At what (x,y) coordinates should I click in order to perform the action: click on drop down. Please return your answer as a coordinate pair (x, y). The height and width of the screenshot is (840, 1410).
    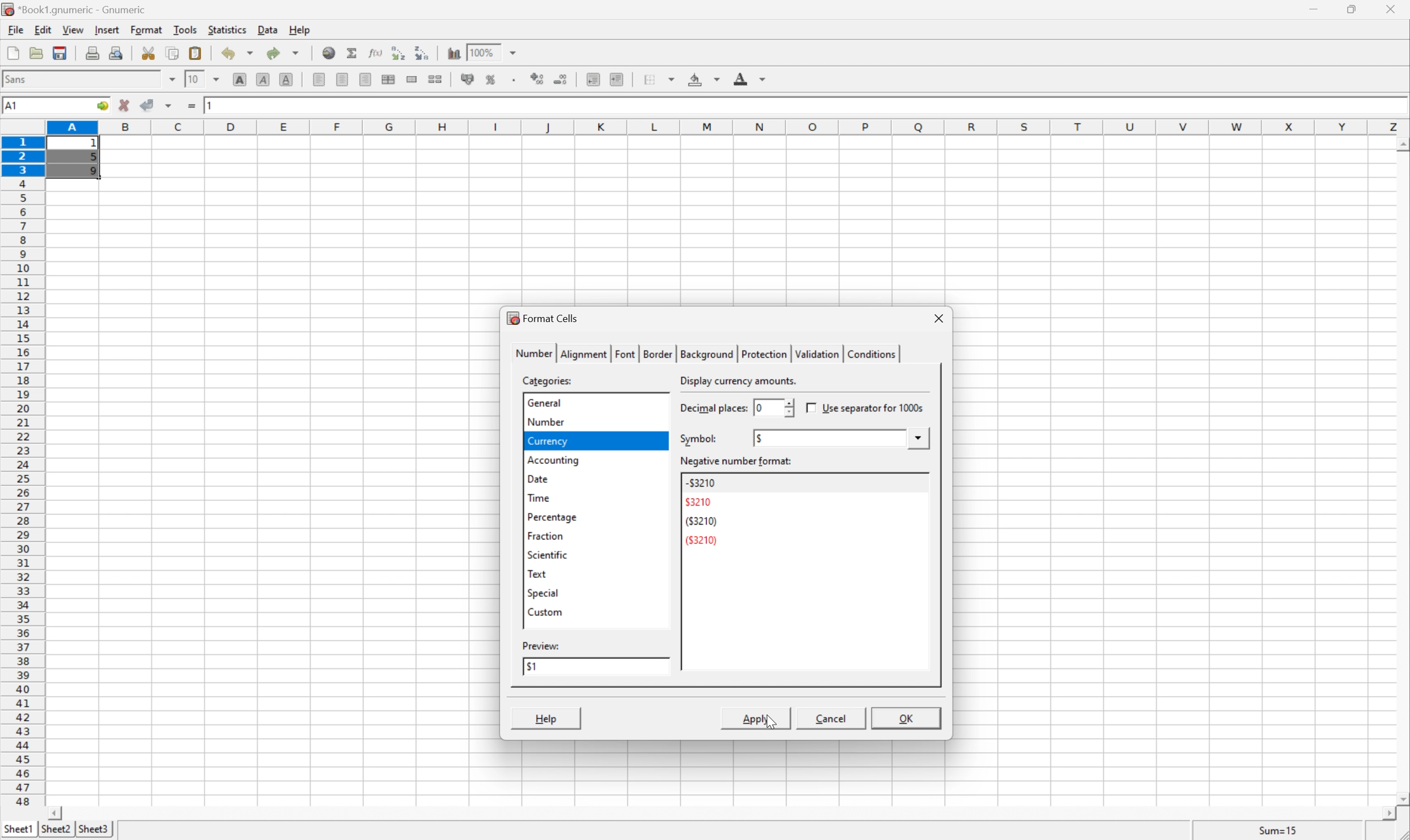
    Looking at the image, I should click on (173, 79).